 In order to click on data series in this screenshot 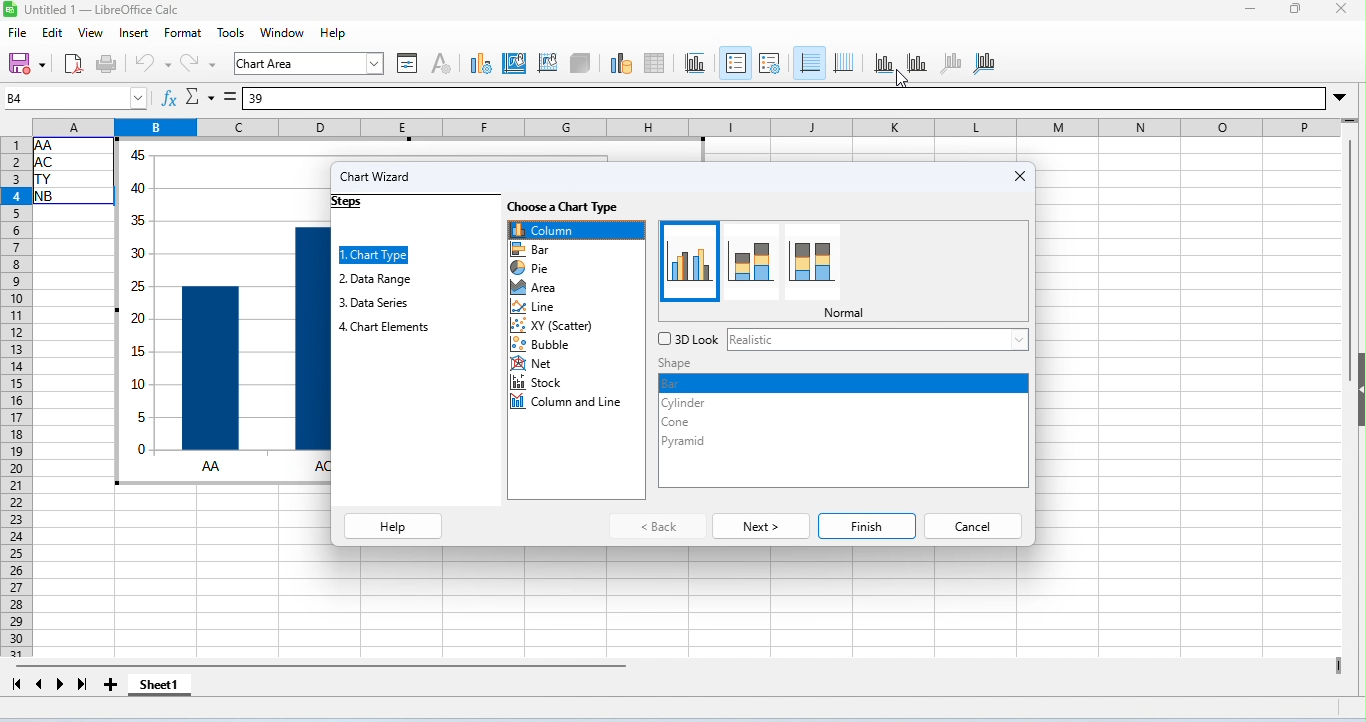, I will do `click(375, 304)`.